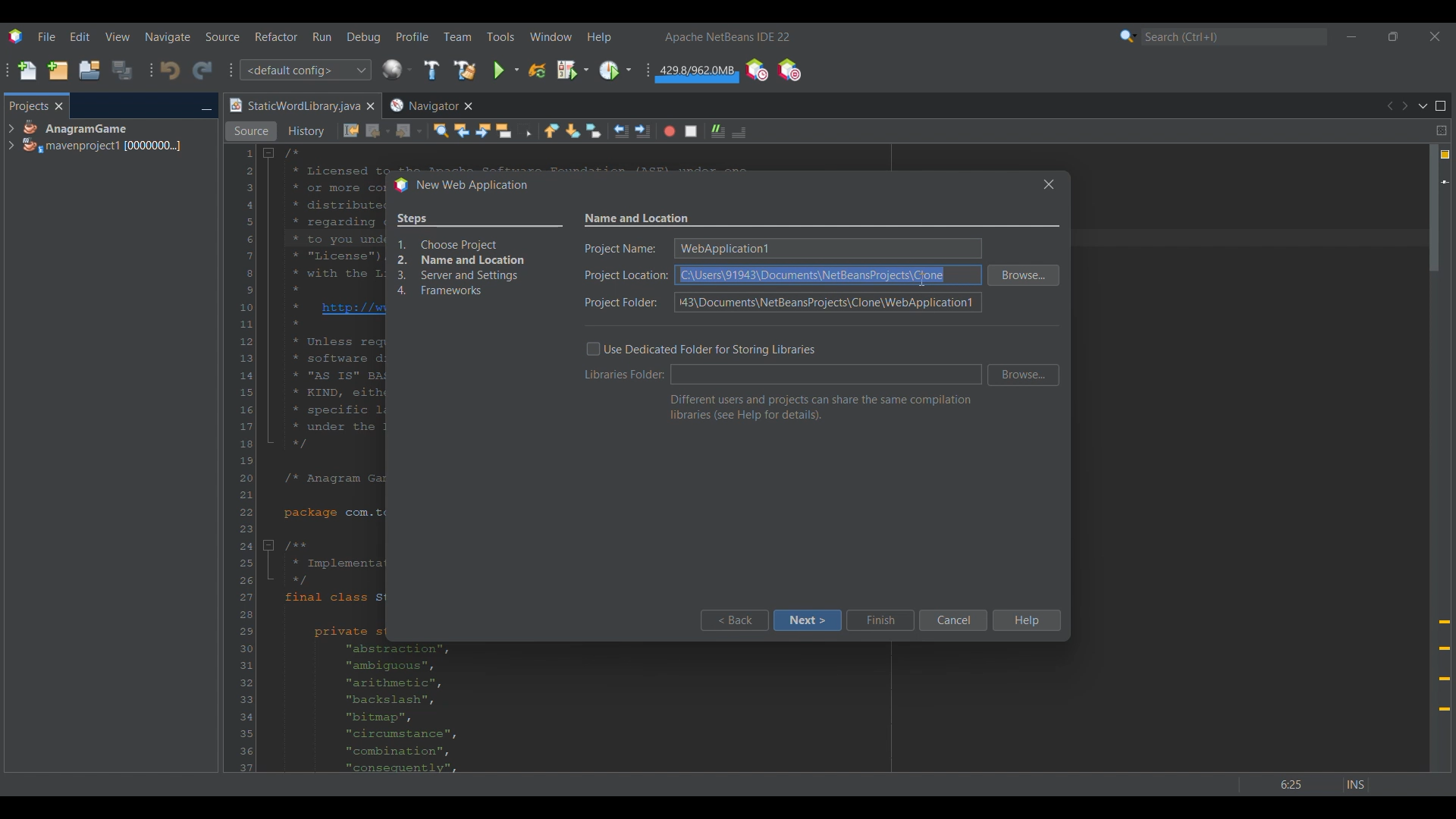 This screenshot has width=1456, height=819. I want to click on Clean and build main project, so click(464, 70).